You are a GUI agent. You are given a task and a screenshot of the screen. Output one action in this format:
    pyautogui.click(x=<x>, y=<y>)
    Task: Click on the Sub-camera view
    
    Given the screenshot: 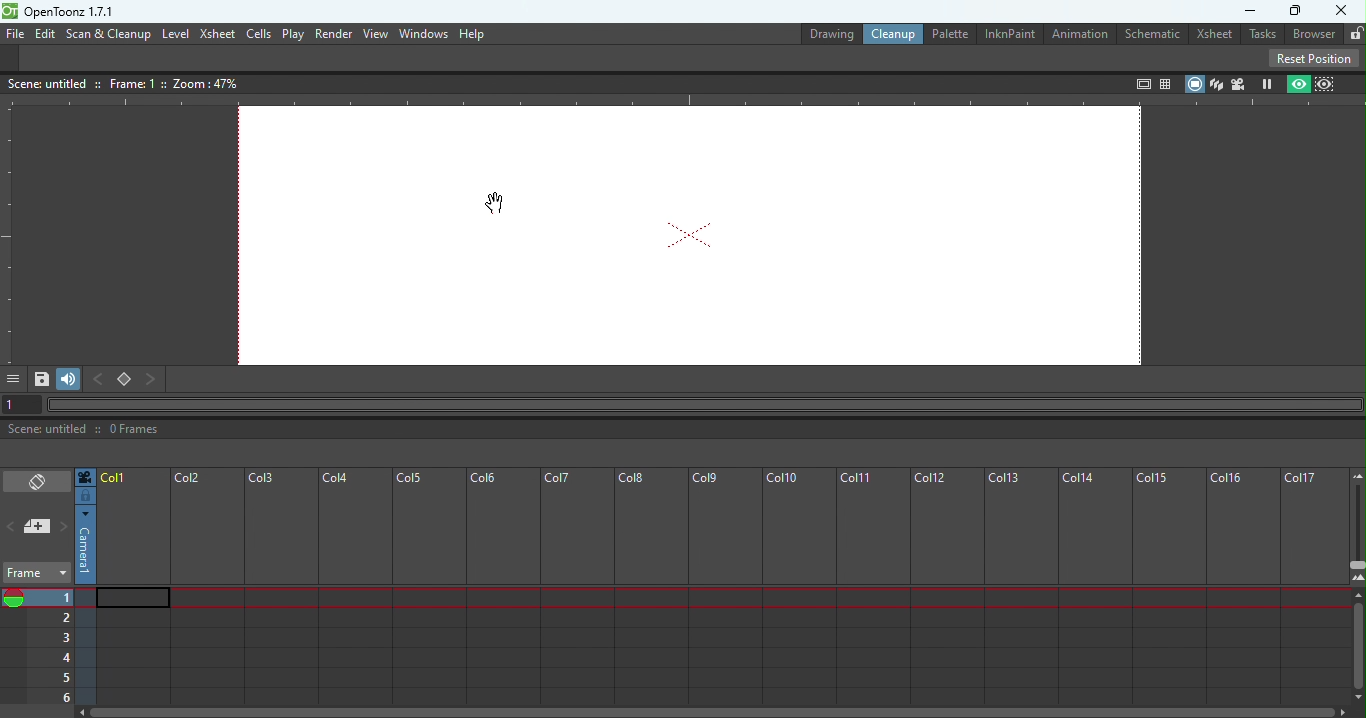 What is the action you would take?
    pyautogui.click(x=1328, y=82)
    